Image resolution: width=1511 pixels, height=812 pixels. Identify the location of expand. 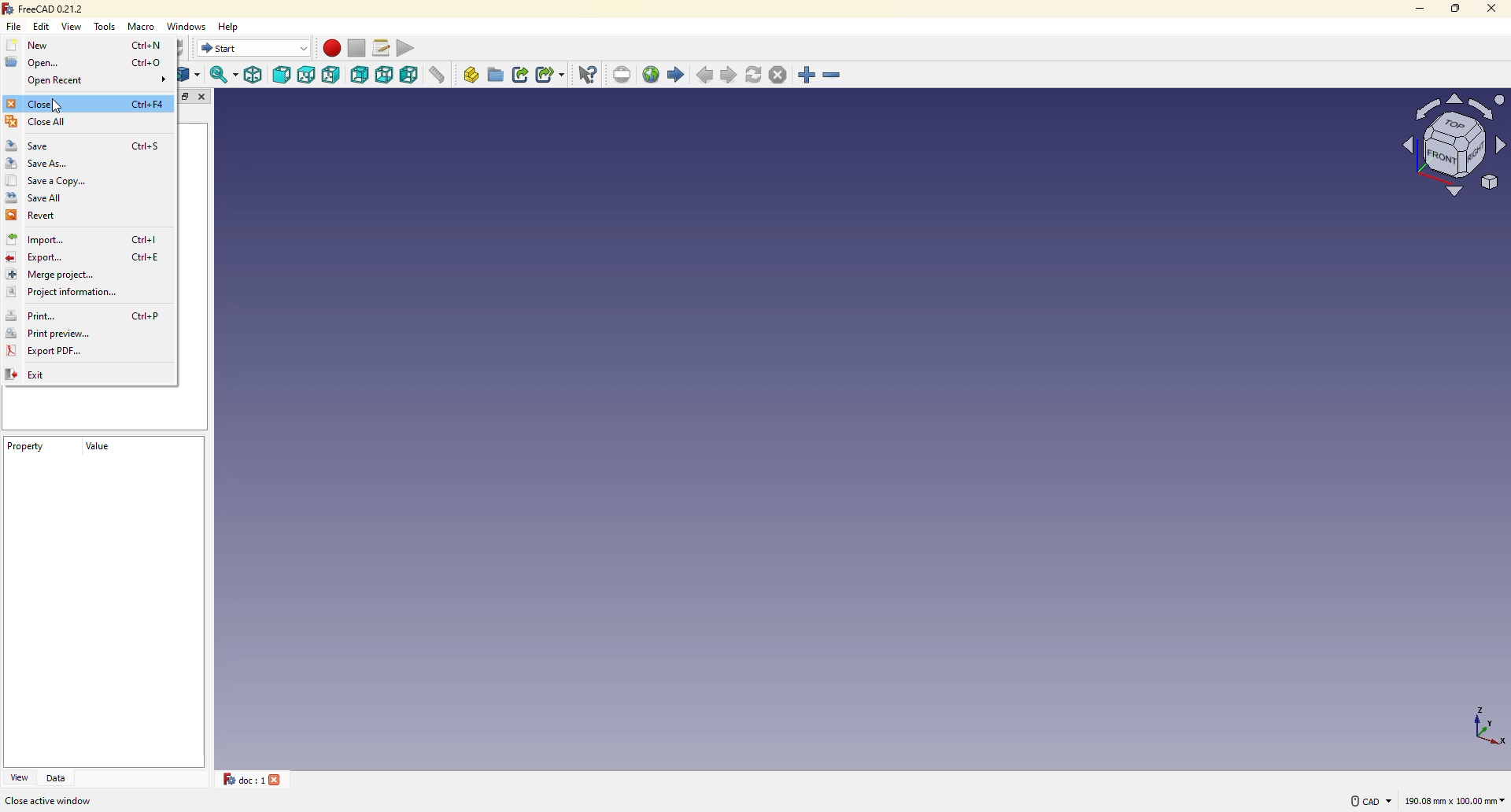
(185, 97).